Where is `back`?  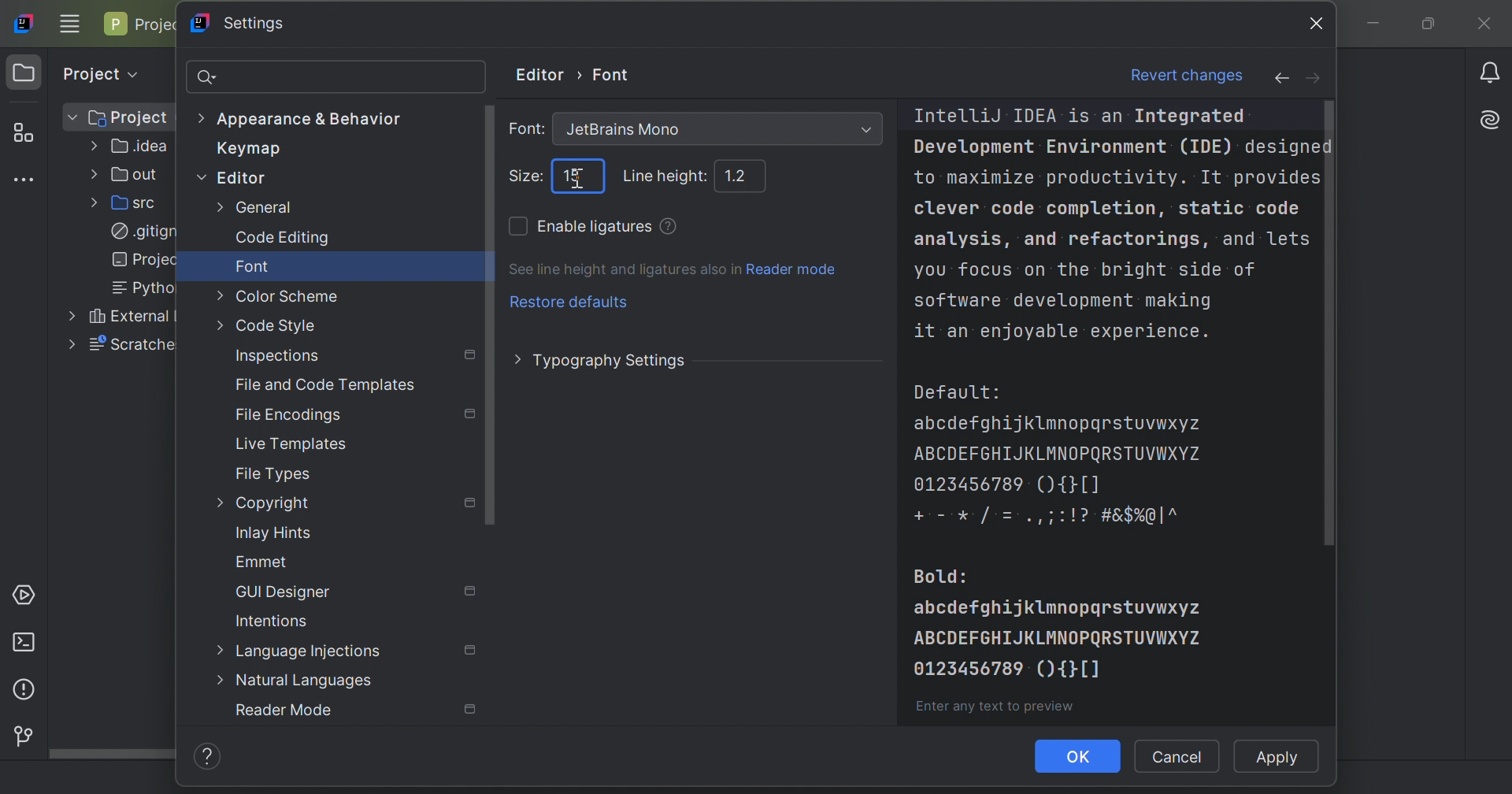 back is located at coordinates (1275, 80).